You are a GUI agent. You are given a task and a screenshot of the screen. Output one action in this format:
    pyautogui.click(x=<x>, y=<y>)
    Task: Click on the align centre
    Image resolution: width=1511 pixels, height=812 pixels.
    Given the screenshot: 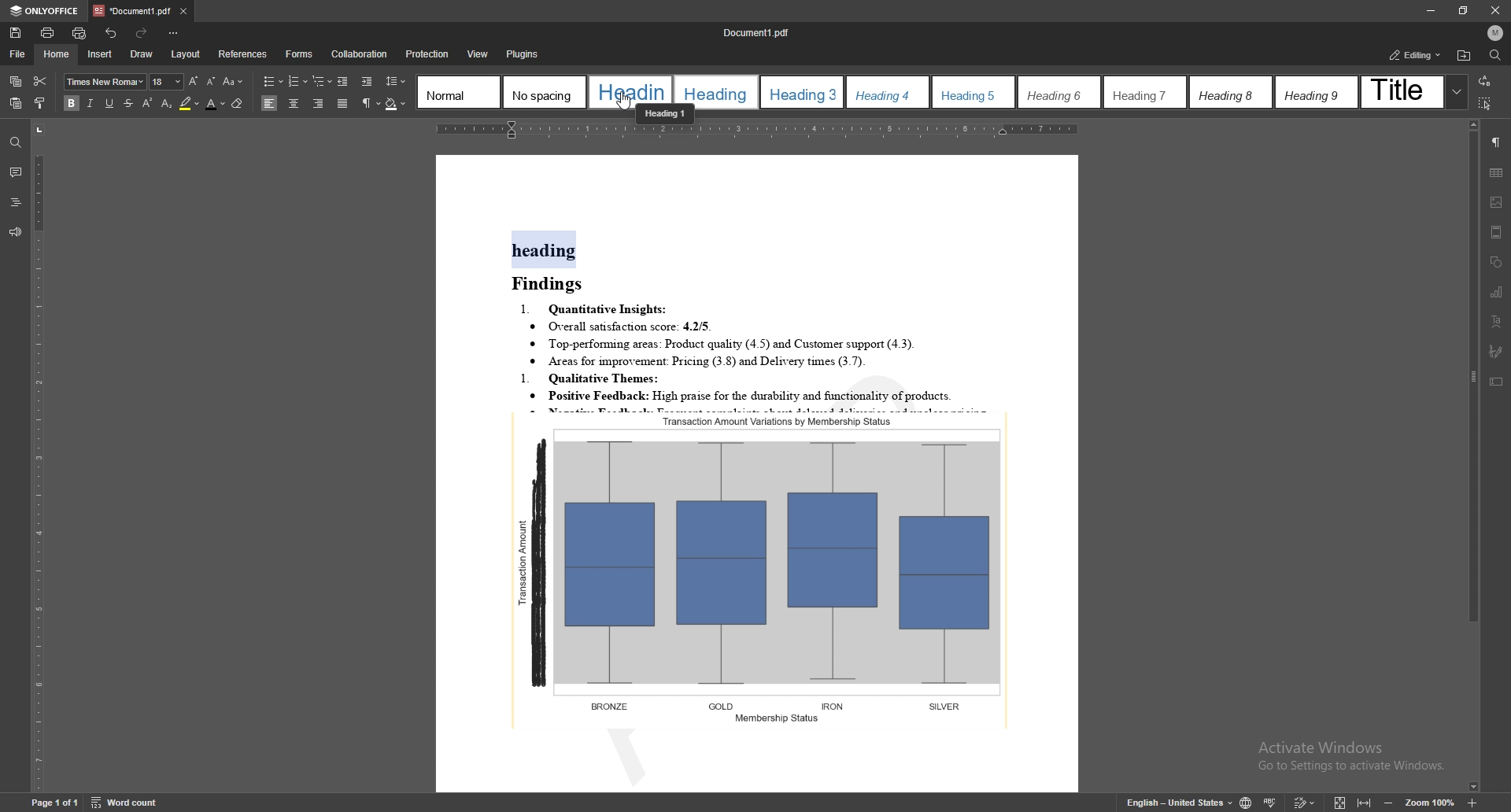 What is the action you would take?
    pyautogui.click(x=294, y=103)
    